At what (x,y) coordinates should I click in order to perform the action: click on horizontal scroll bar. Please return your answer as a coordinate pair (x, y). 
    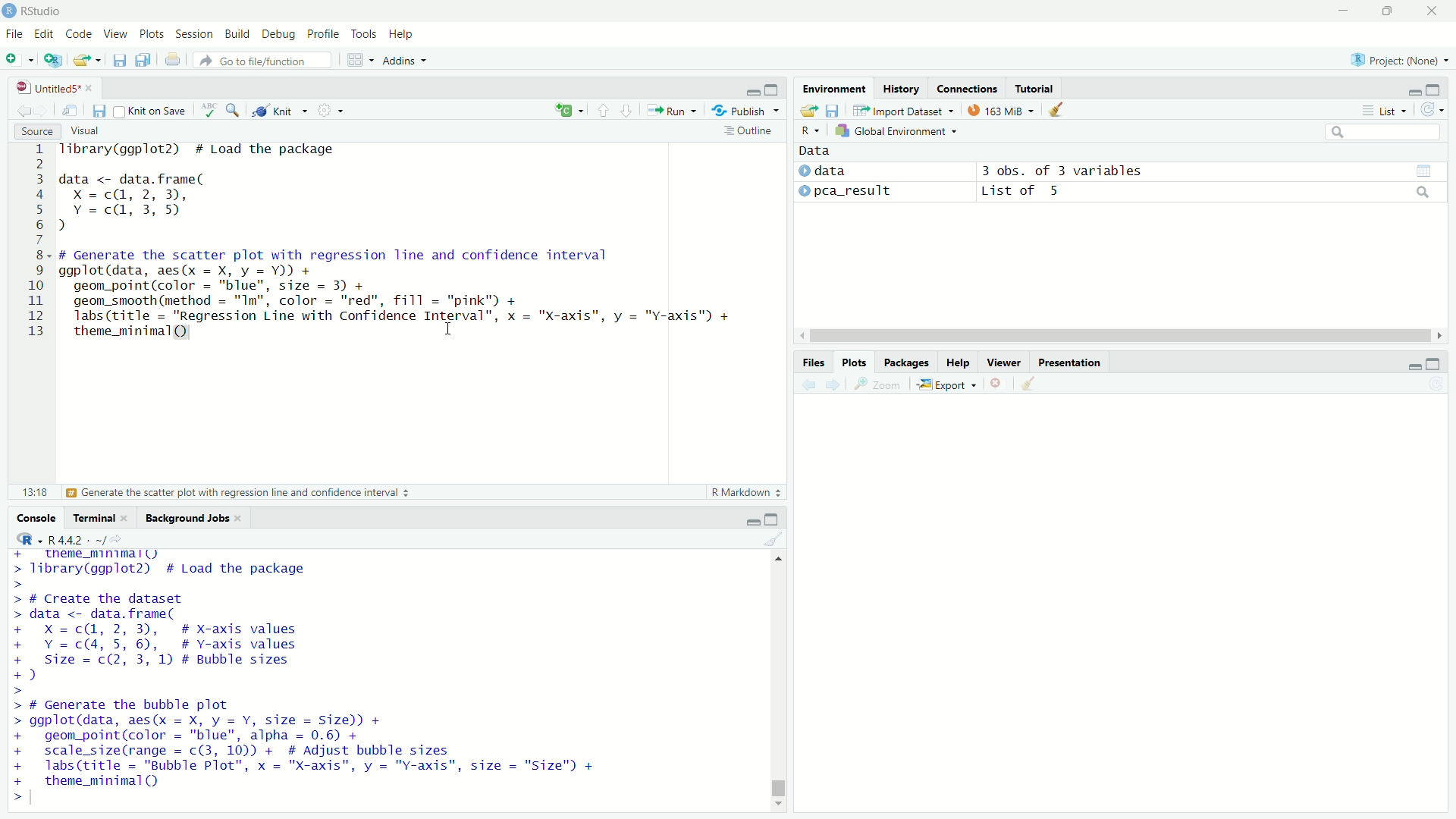
    Looking at the image, I should click on (1121, 336).